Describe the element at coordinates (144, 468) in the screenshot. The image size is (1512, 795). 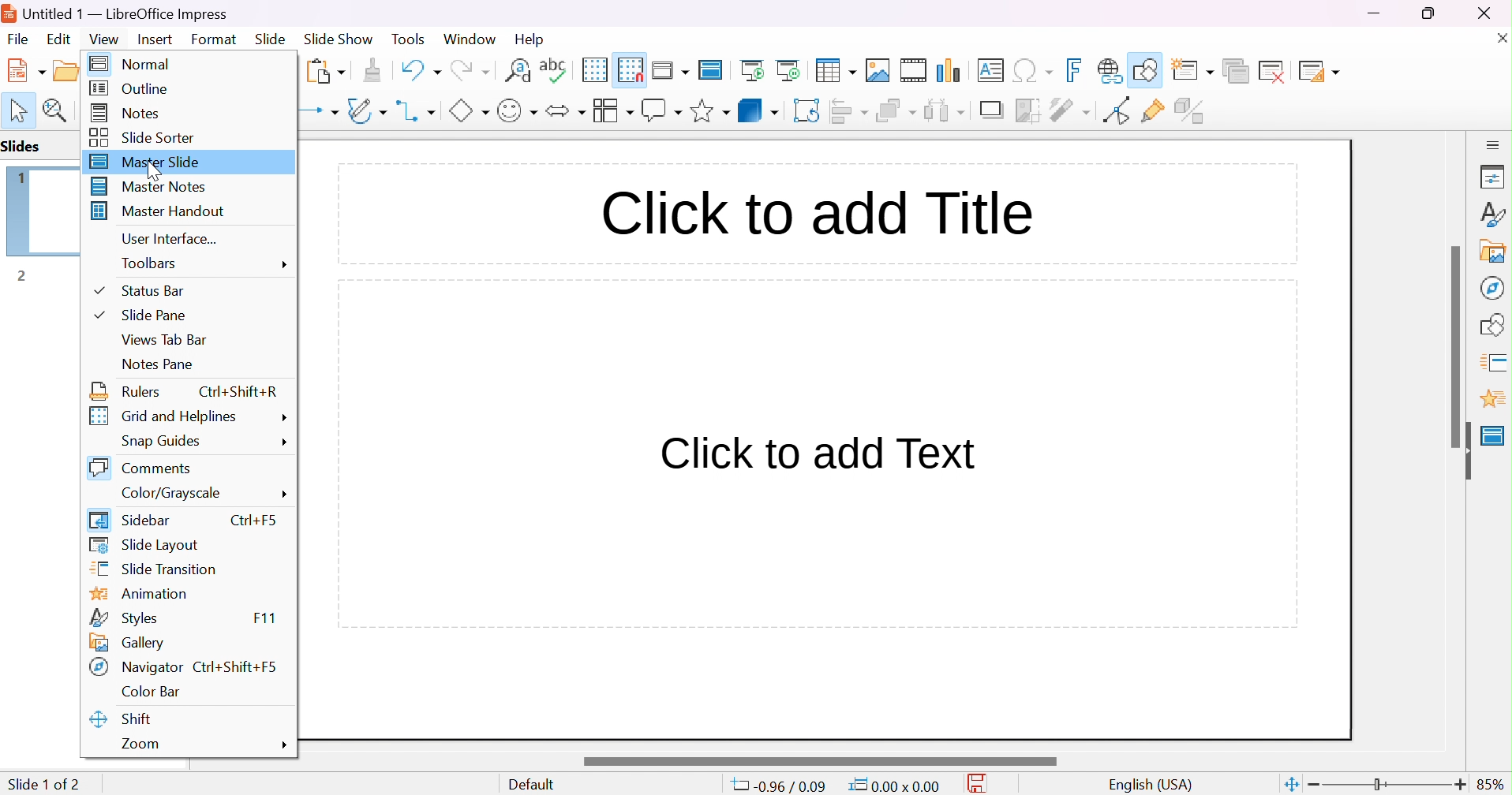
I see `comments` at that location.